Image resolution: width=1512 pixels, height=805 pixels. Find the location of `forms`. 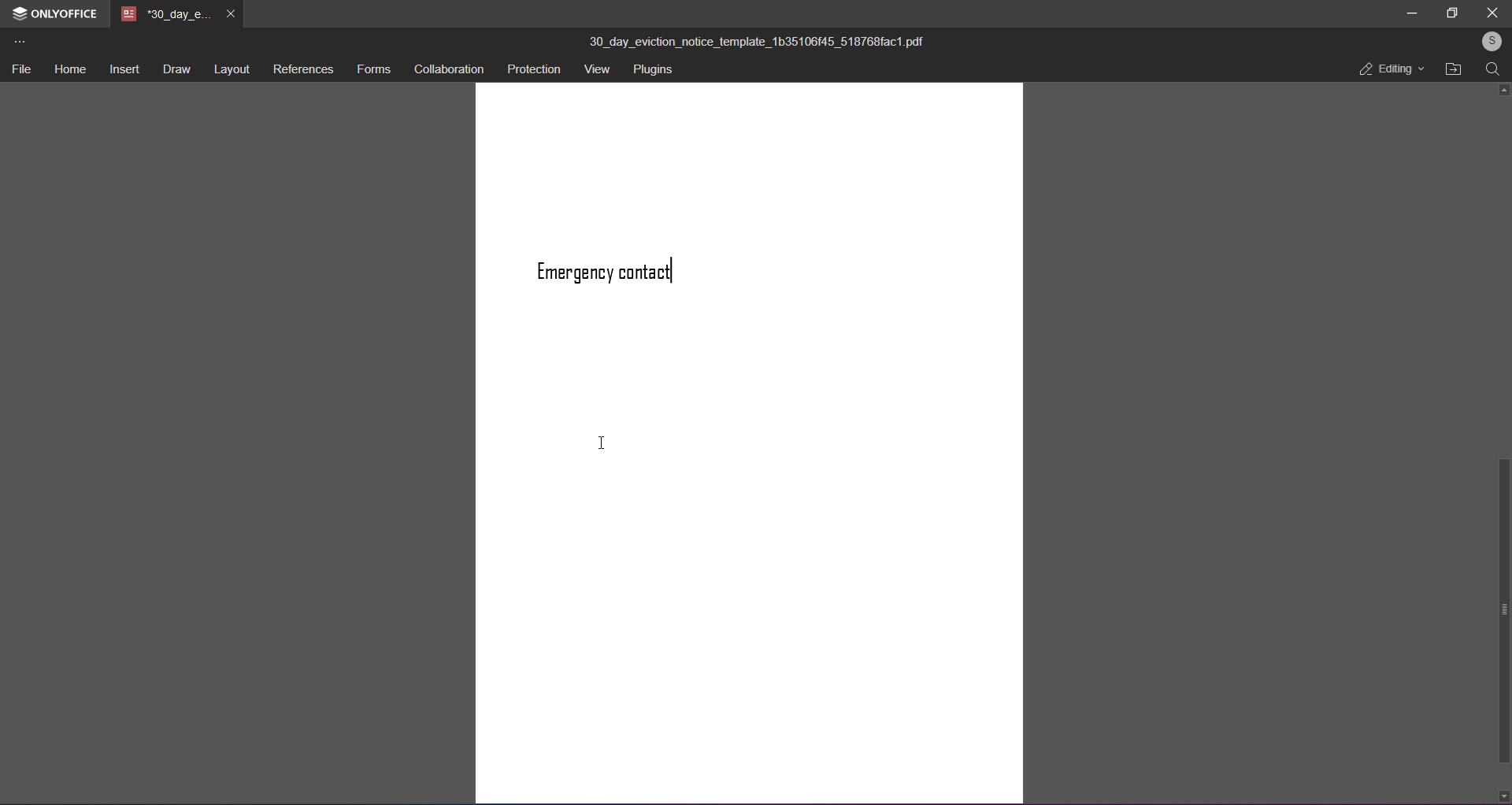

forms is located at coordinates (372, 71).